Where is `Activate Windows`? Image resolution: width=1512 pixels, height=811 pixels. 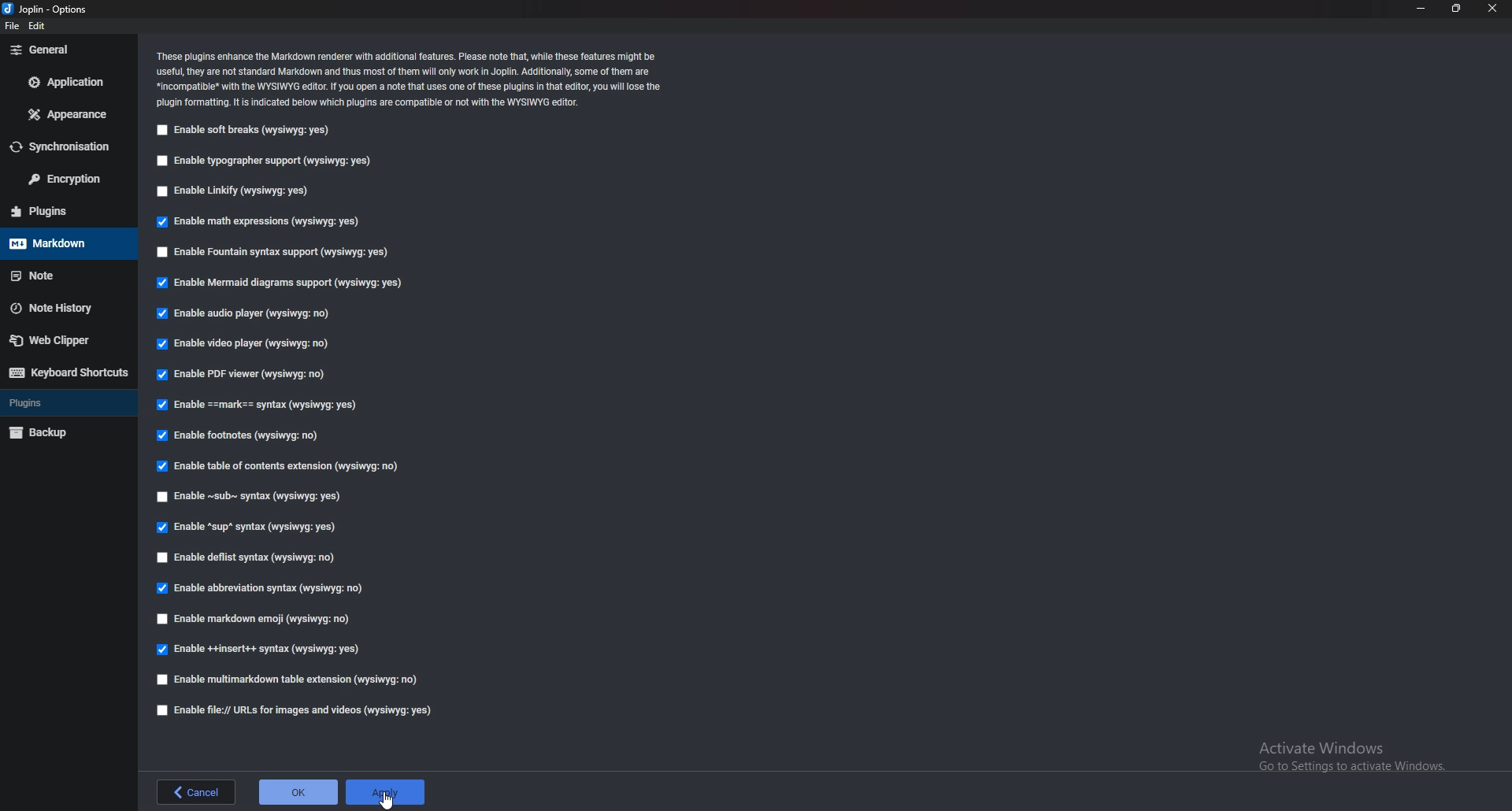 Activate Windows is located at coordinates (1354, 755).